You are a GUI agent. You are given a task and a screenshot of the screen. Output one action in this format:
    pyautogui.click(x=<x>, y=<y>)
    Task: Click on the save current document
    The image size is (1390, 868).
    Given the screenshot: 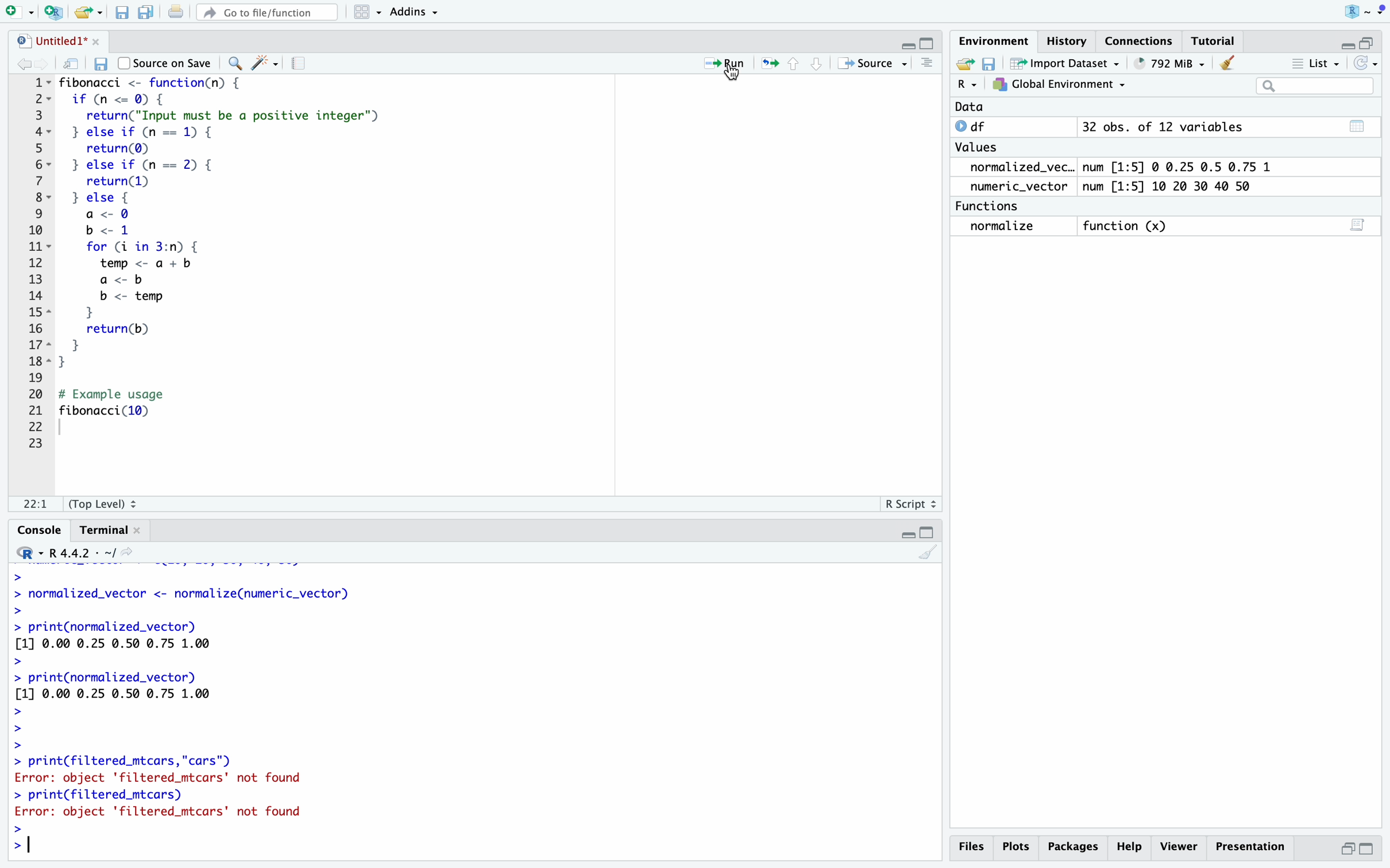 What is the action you would take?
    pyautogui.click(x=100, y=64)
    